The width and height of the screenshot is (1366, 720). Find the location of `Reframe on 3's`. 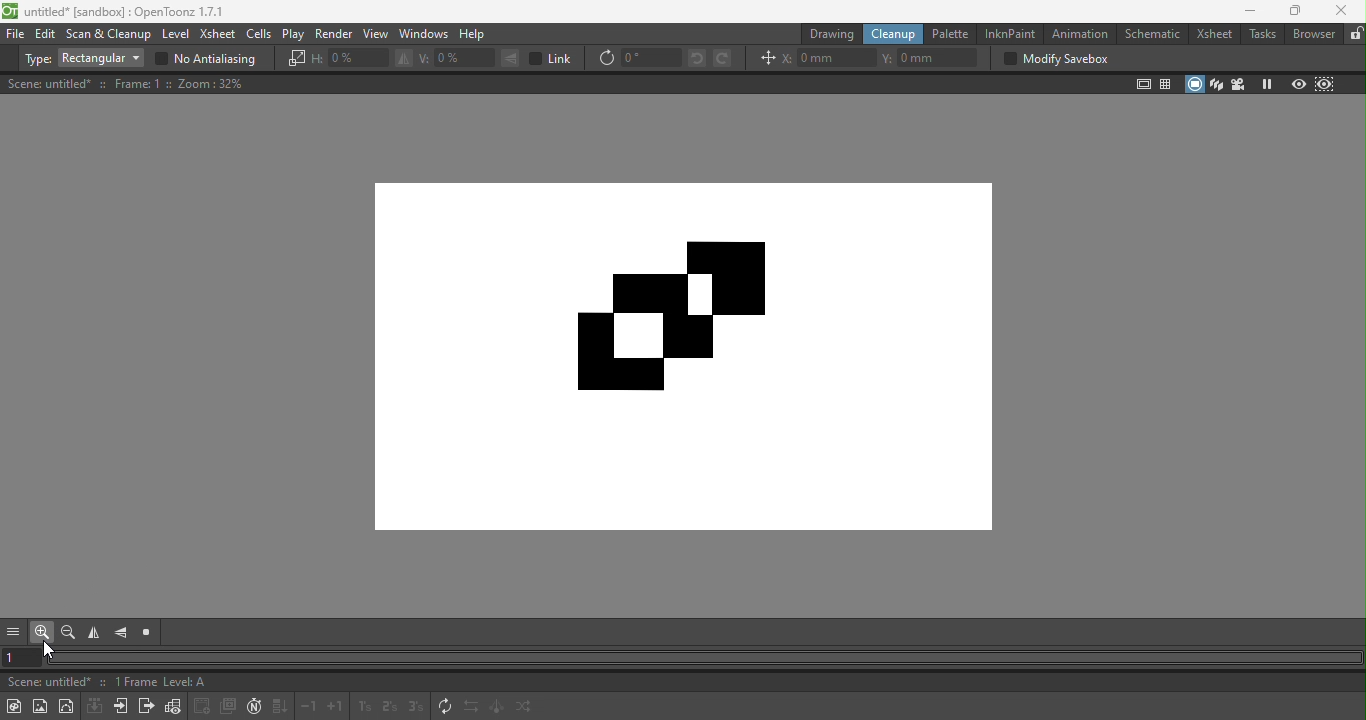

Reframe on 3's is located at coordinates (415, 705).